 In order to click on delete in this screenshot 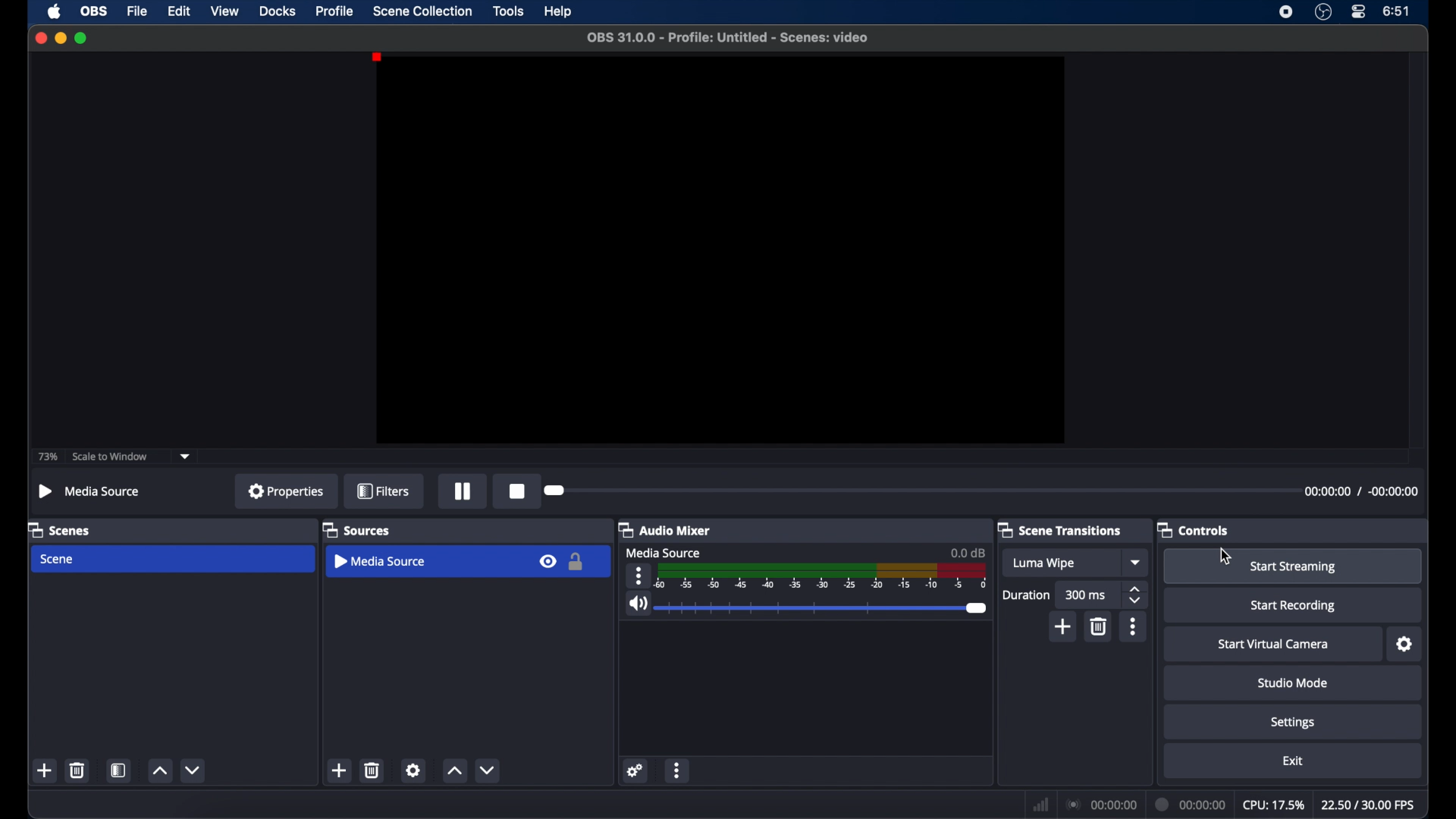, I will do `click(77, 770)`.